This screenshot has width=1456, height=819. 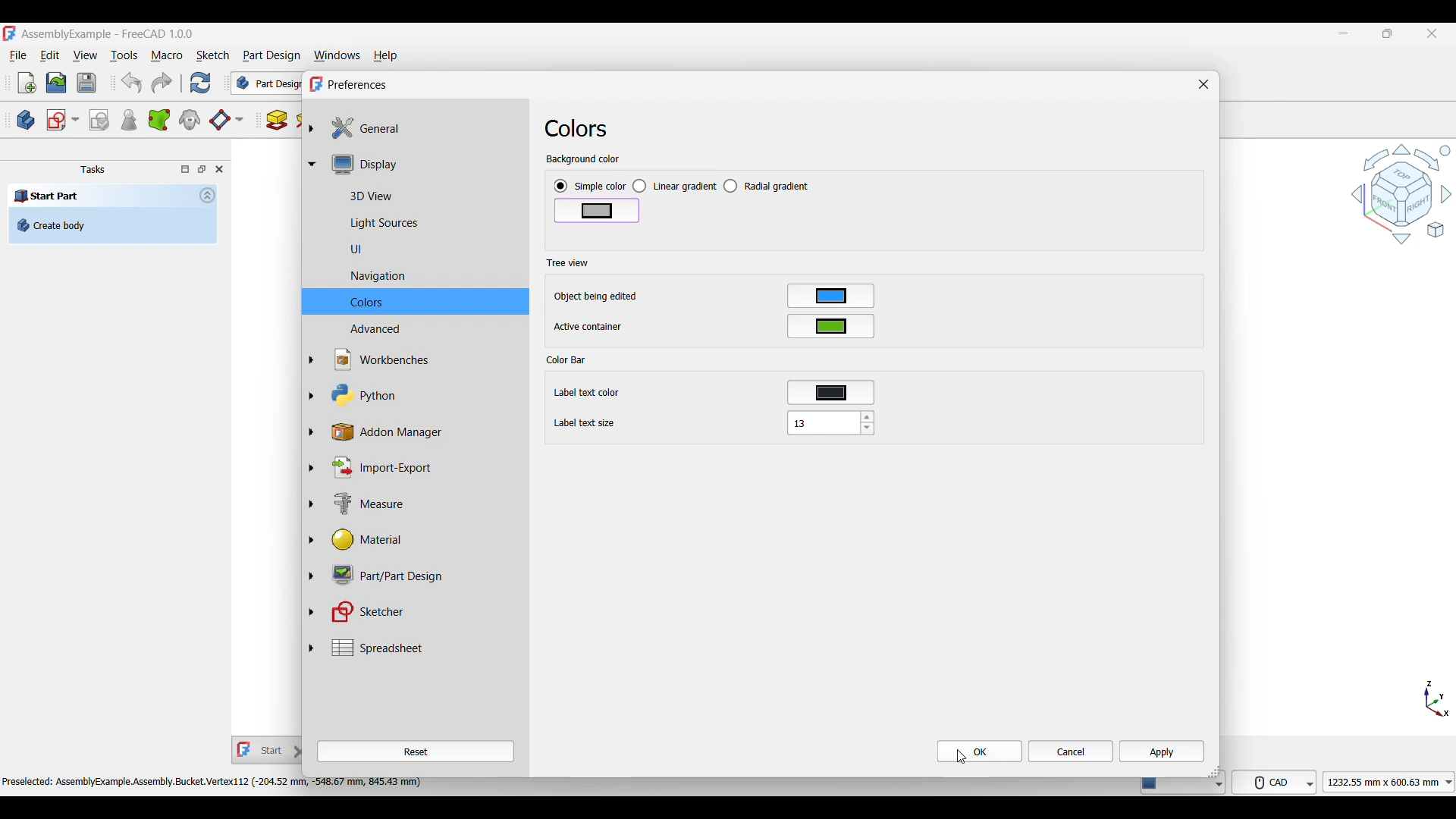 I want to click on 3D View, so click(x=423, y=194).